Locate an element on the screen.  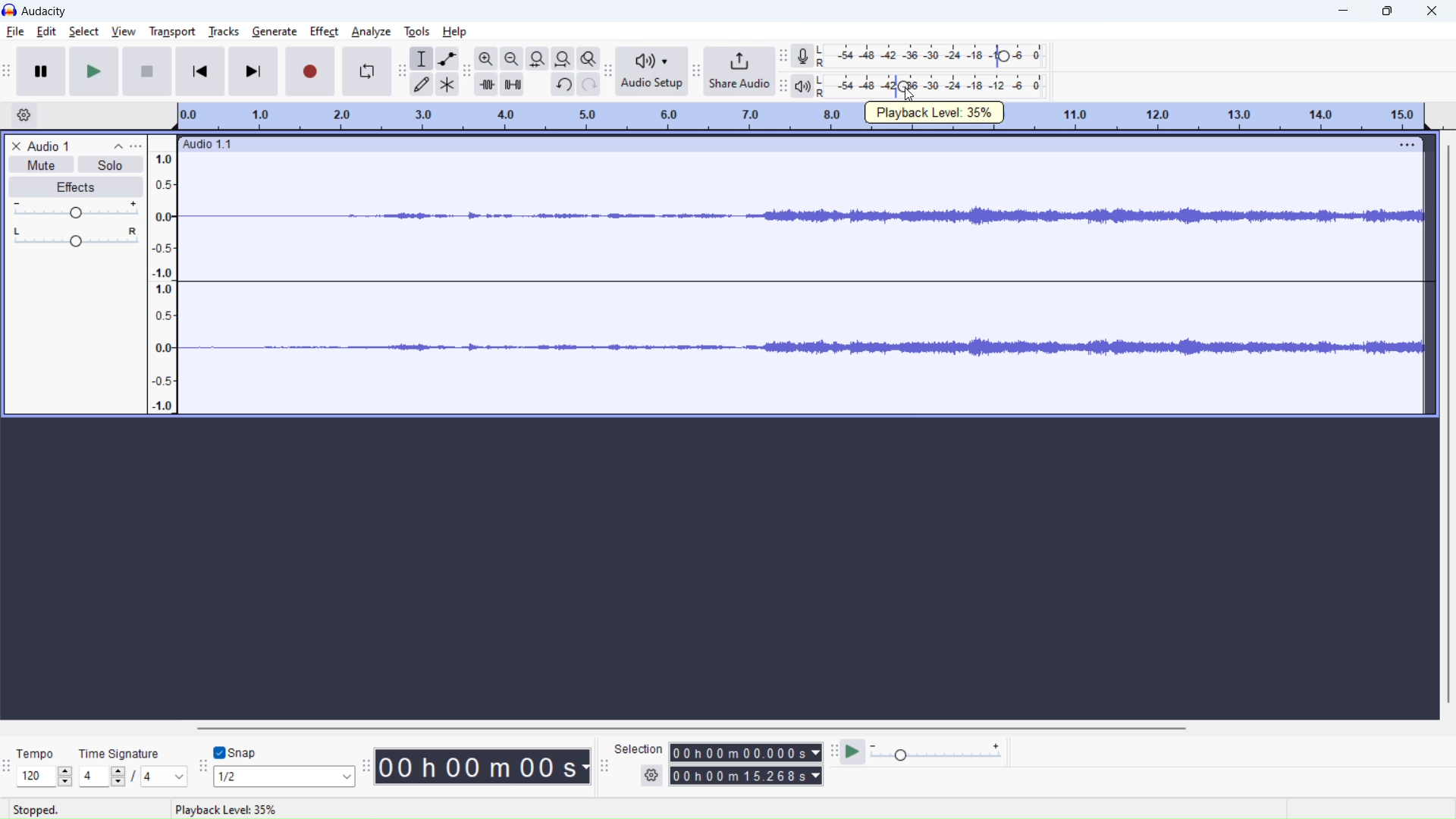
trim audio outside selection is located at coordinates (486, 84).